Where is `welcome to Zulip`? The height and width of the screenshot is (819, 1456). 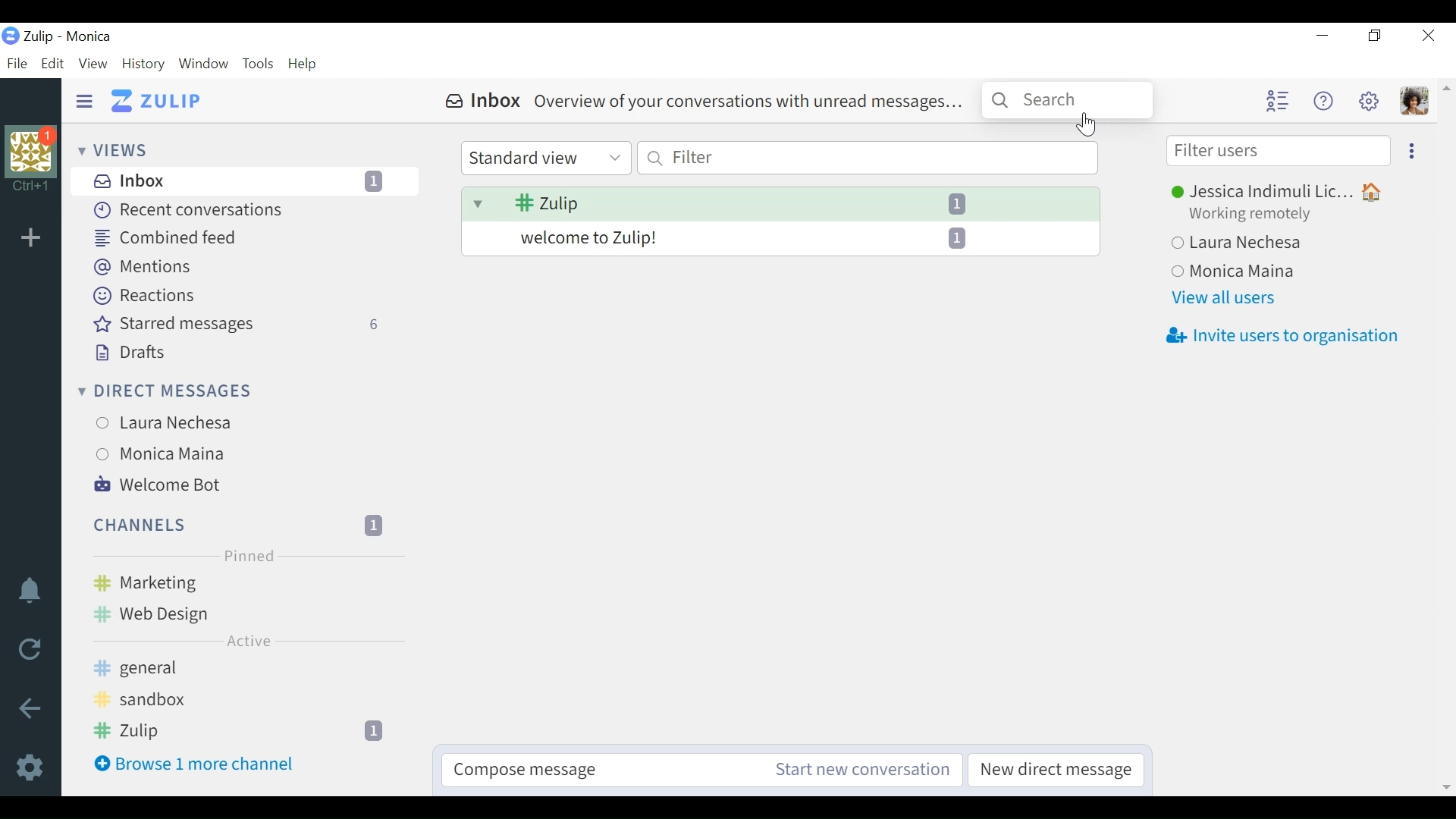
welcome to Zulip is located at coordinates (782, 237).